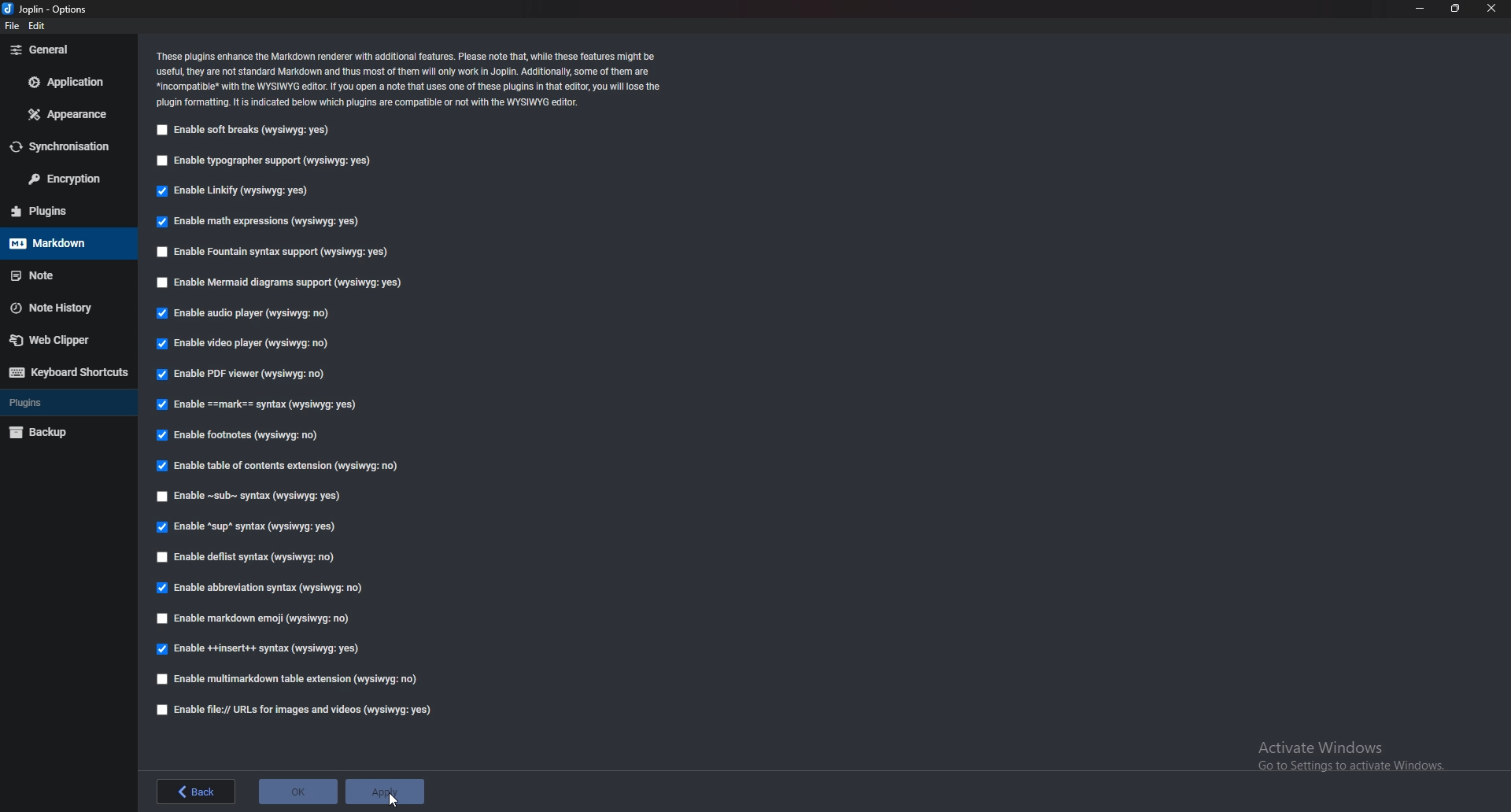 This screenshot has width=1511, height=812. What do you see at coordinates (68, 179) in the screenshot?
I see `Encryption` at bounding box center [68, 179].